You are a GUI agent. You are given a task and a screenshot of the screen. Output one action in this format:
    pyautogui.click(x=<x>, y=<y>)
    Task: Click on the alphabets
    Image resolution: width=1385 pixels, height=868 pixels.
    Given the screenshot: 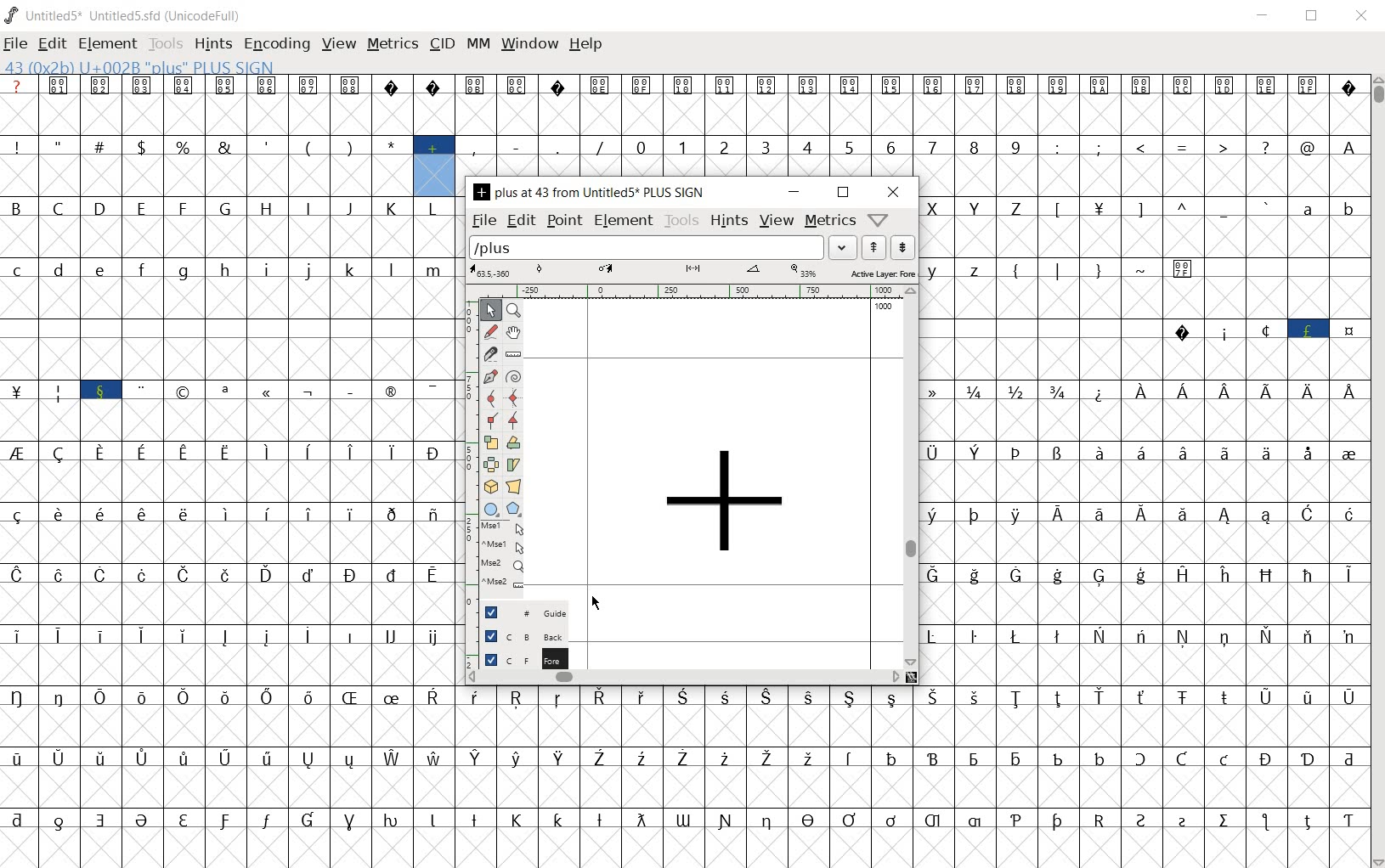 What is the action you would take?
    pyautogui.click(x=227, y=228)
    